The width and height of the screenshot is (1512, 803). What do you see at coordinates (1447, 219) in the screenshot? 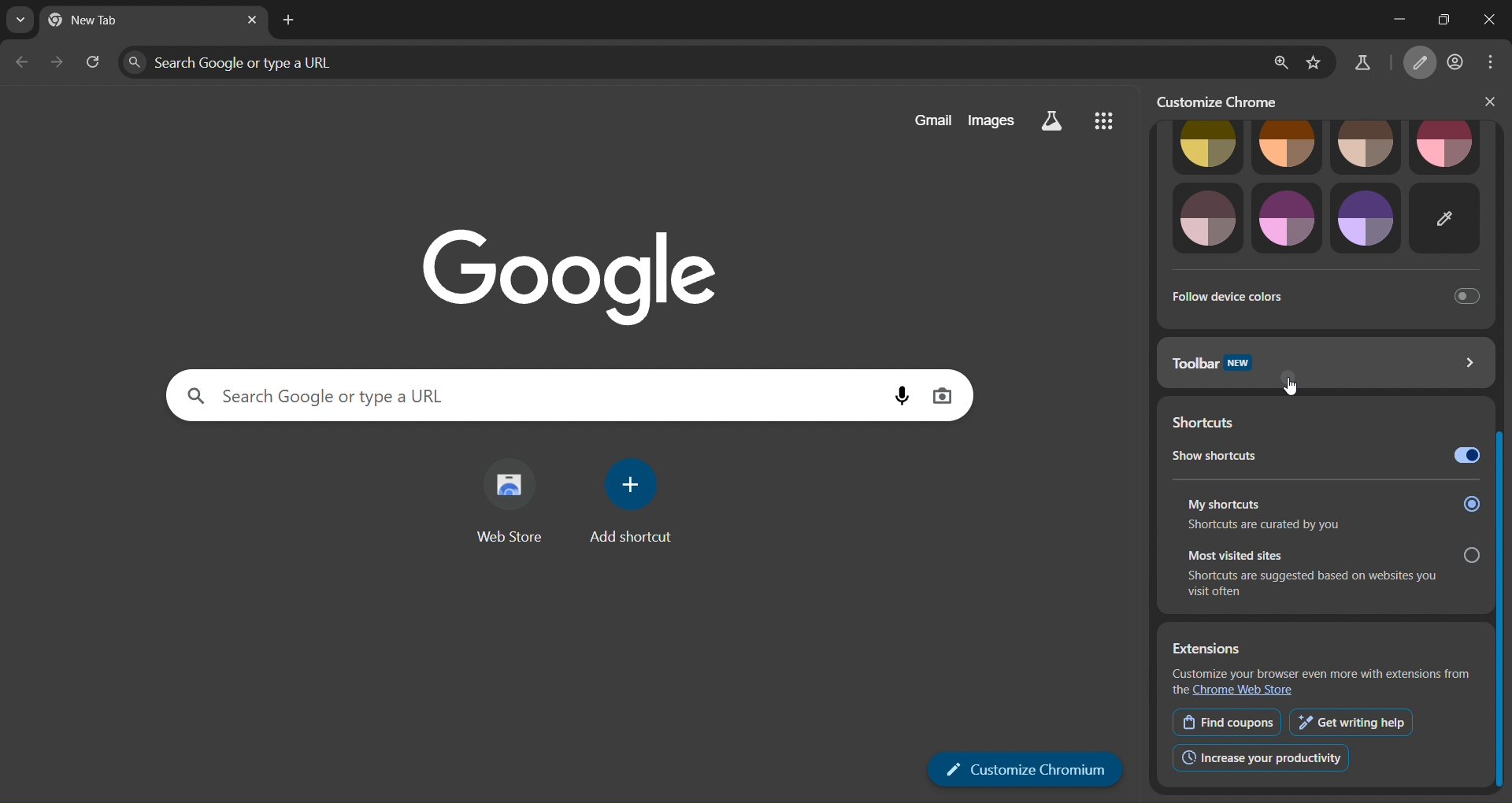
I see `customize theme` at bounding box center [1447, 219].